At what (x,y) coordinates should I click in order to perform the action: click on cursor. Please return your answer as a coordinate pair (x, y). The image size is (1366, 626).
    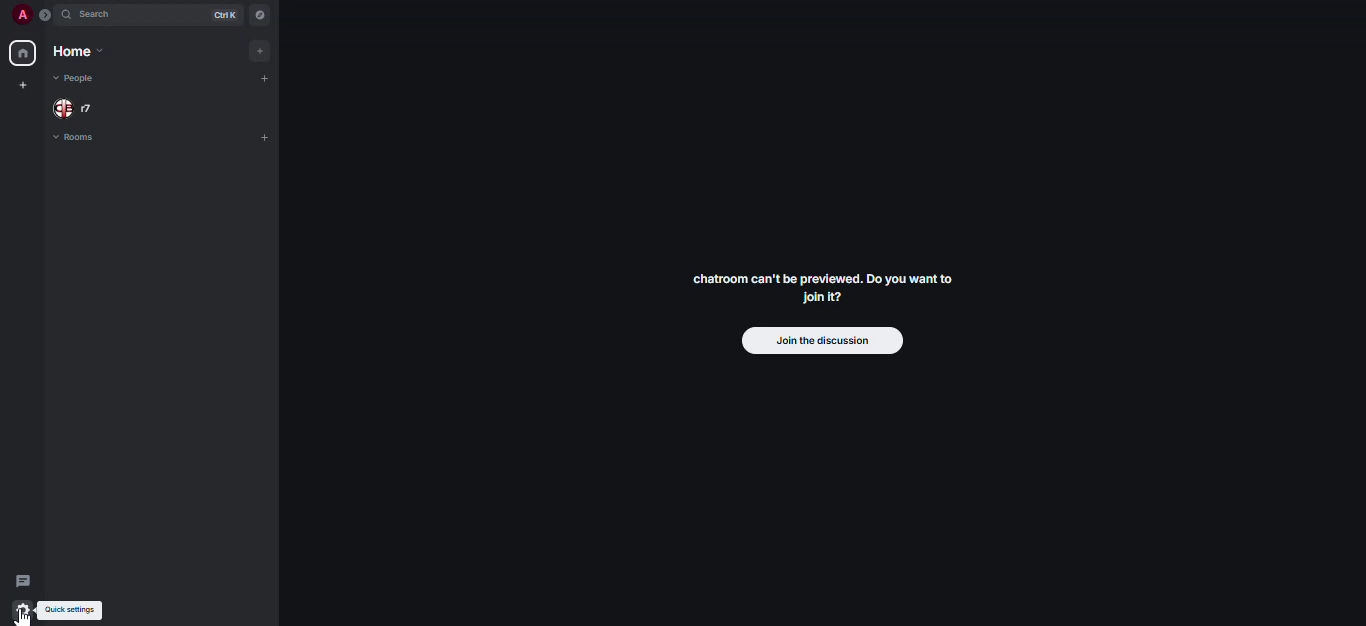
    Looking at the image, I should click on (22, 610).